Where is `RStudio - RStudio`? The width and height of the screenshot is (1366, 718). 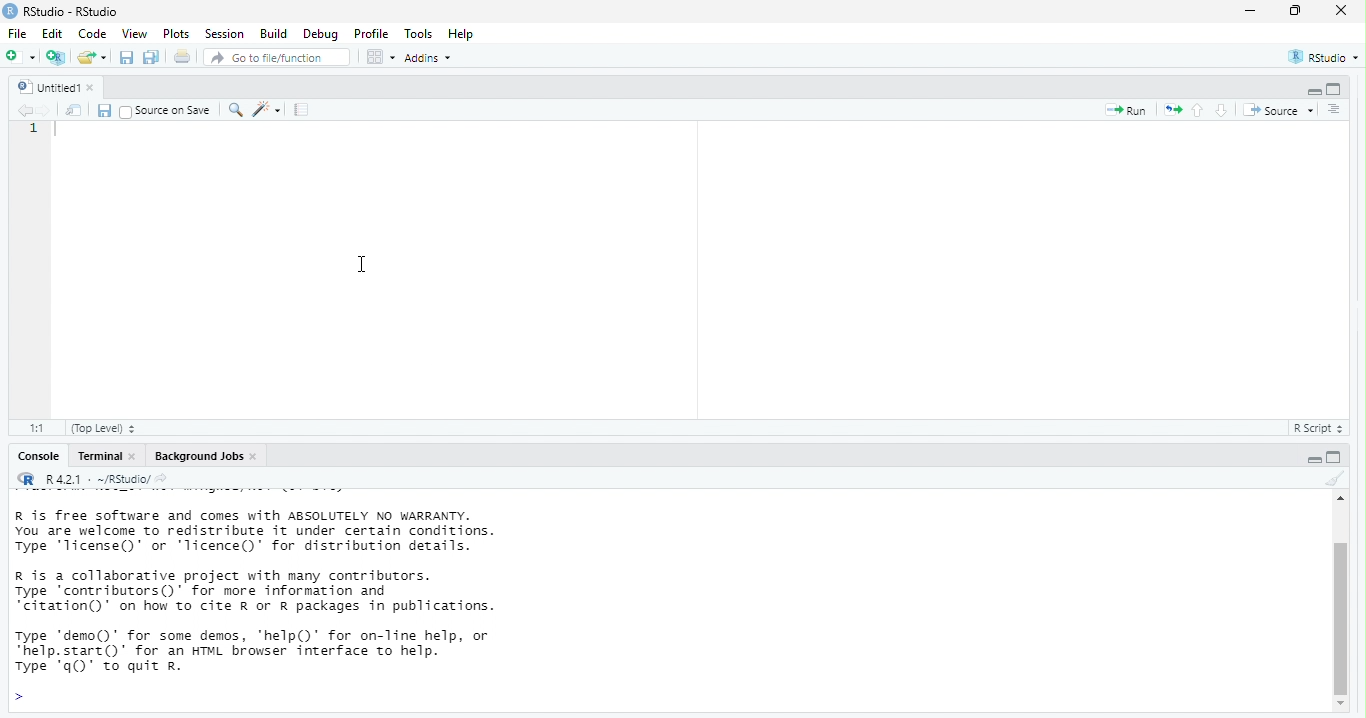
RStudio - RStudio is located at coordinates (75, 11).